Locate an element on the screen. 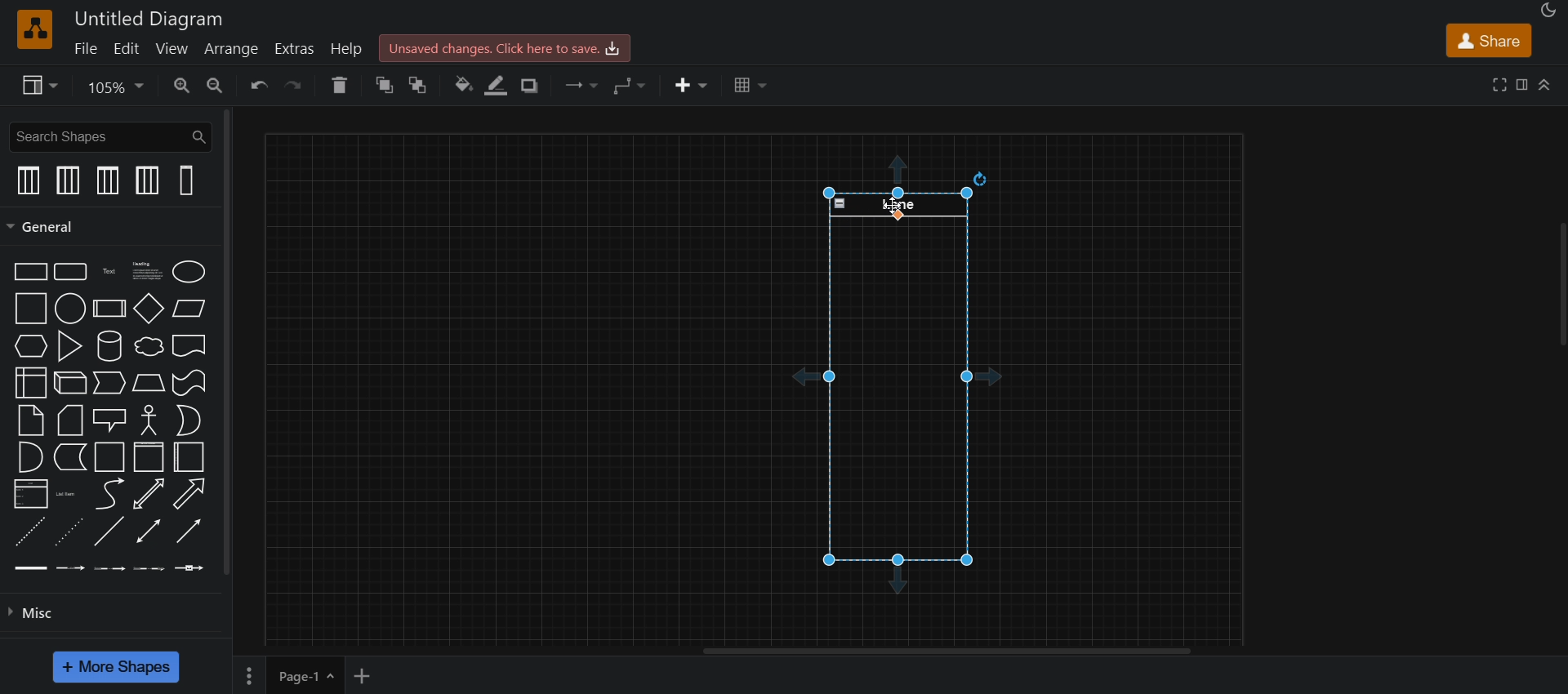 The width and height of the screenshot is (1568, 694). cursor is located at coordinates (894, 207).